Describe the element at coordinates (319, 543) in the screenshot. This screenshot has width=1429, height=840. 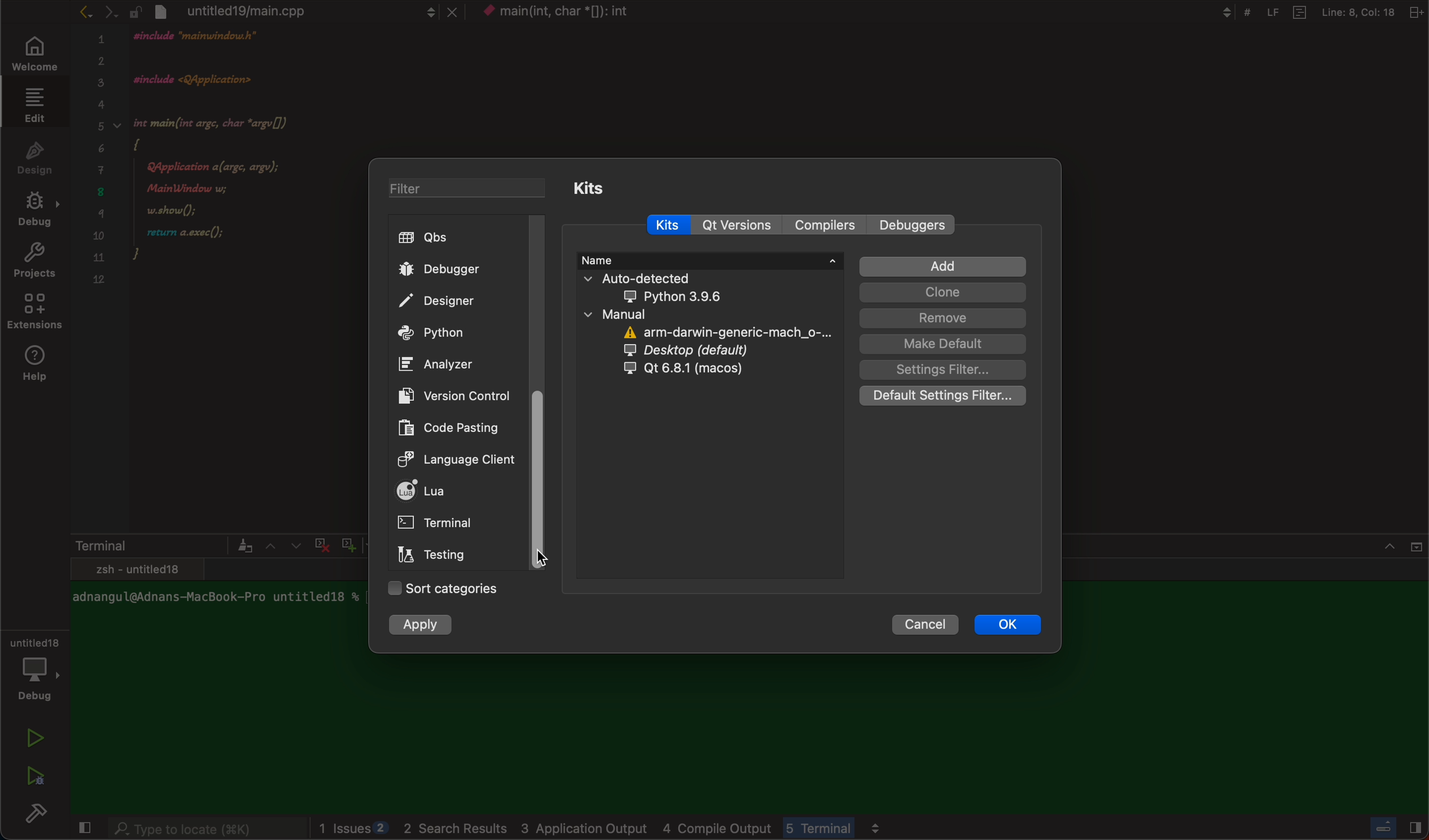
I see `cross` at that location.